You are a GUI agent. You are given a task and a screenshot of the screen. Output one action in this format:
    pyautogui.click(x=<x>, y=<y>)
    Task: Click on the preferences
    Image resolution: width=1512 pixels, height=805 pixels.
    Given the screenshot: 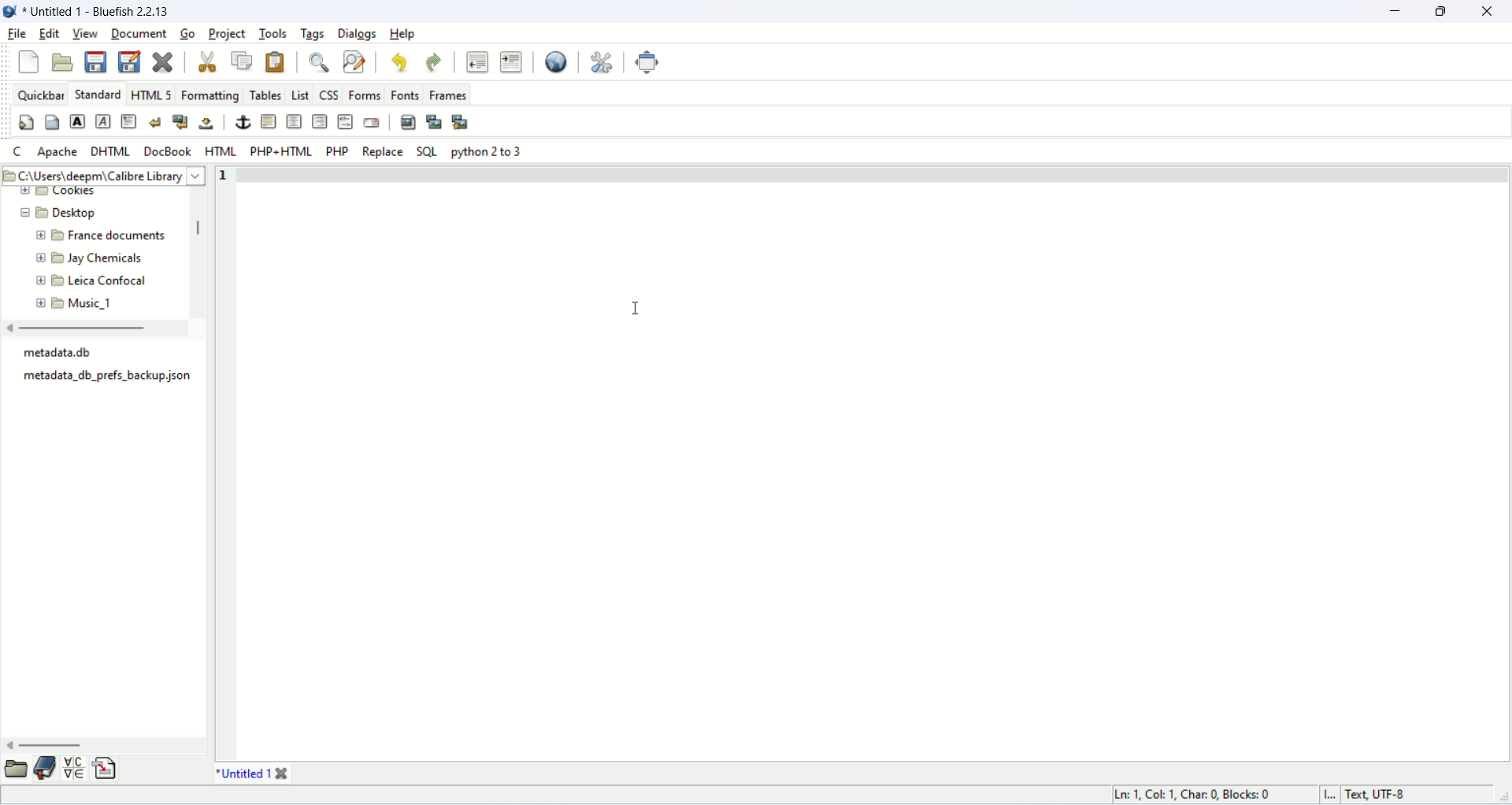 What is the action you would take?
    pyautogui.click(x=603, y=62)
    